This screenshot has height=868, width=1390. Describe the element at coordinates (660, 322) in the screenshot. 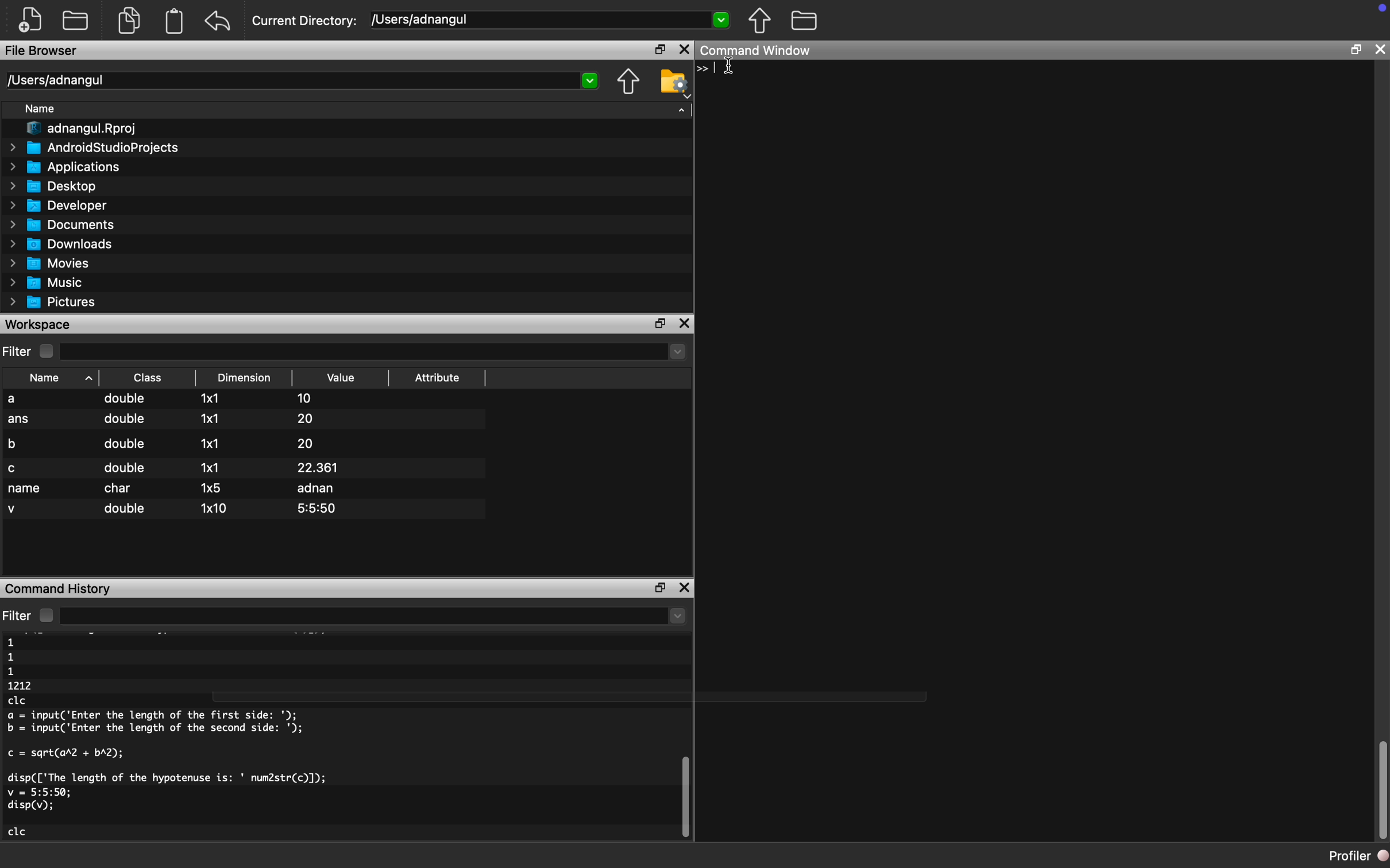

I see `maximize` at that location.